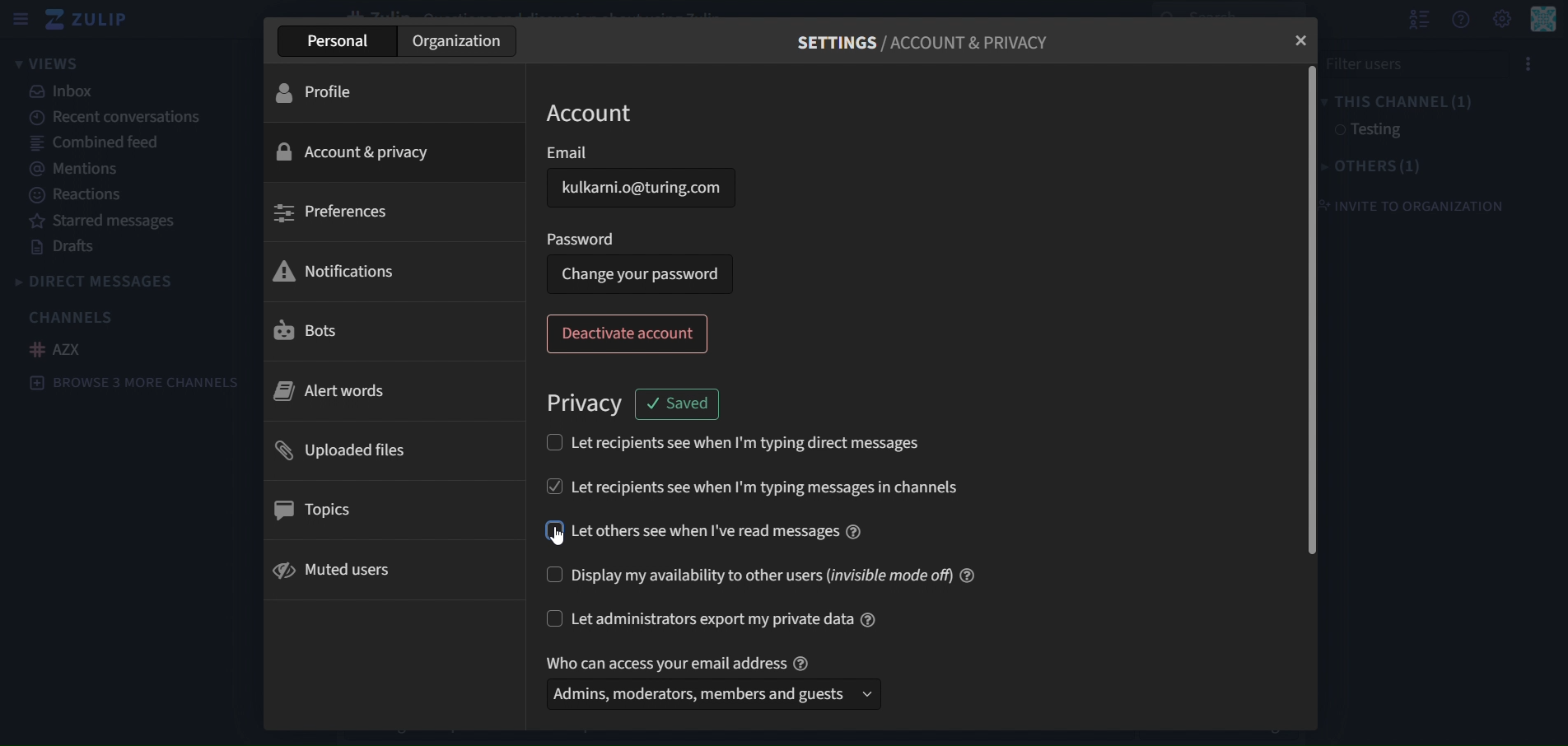  I want to click on change your password, so click(641, 273).